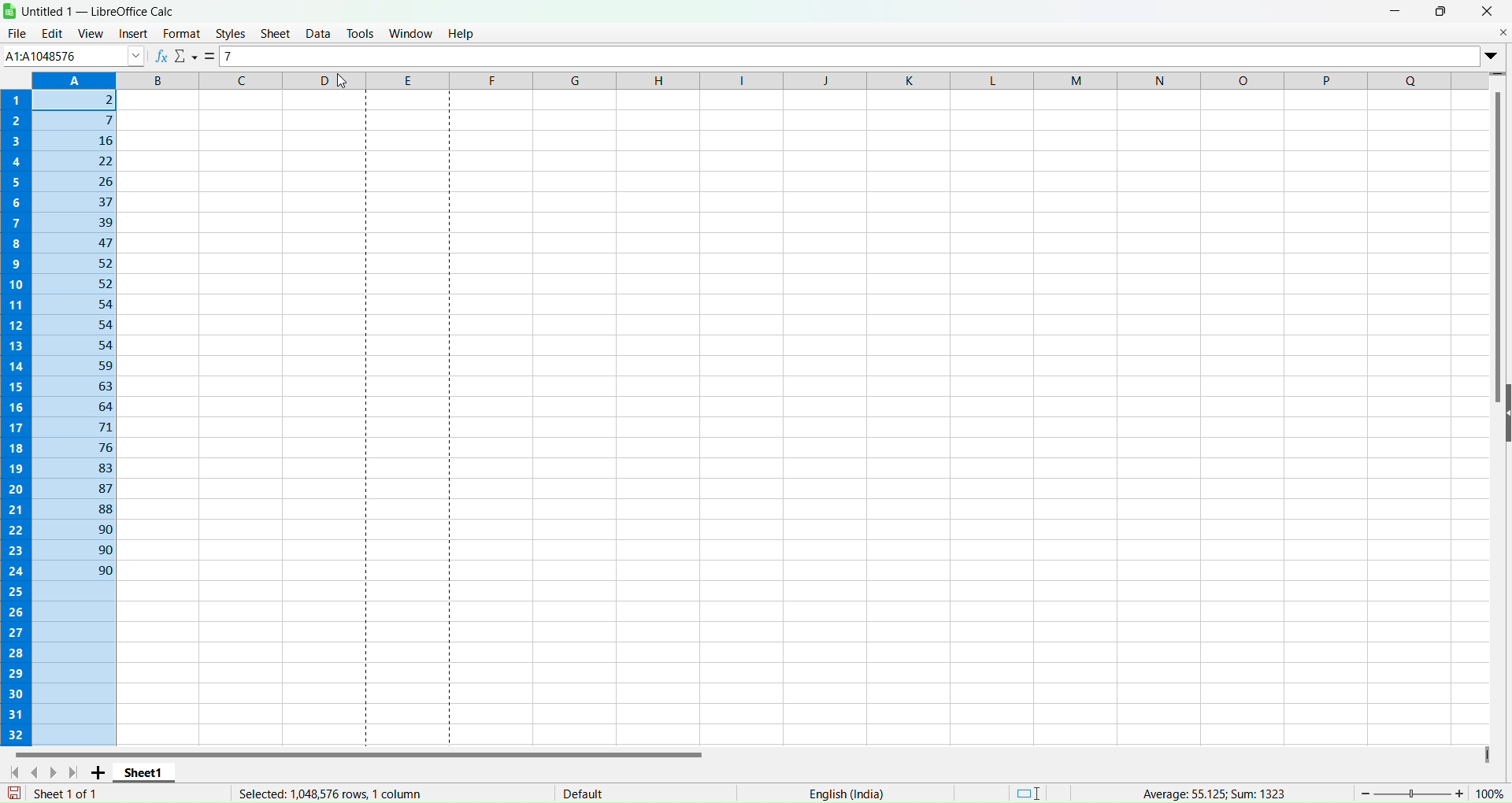  Describe the element at coordinates (1487, 11) in the screenshot. I see `Close` at that location.